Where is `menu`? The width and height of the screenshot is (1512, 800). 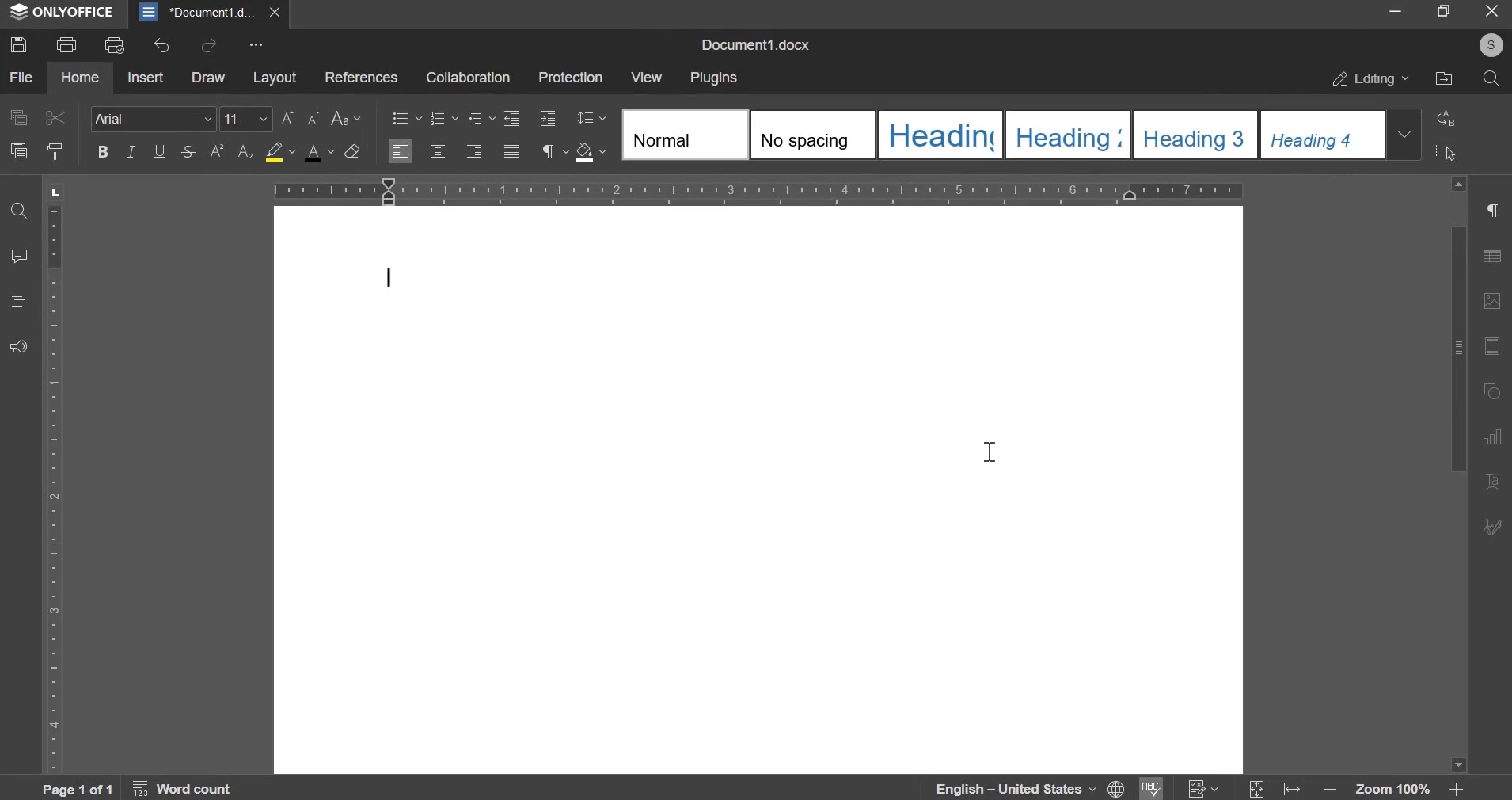
menu is located at coordinates (21, 301).